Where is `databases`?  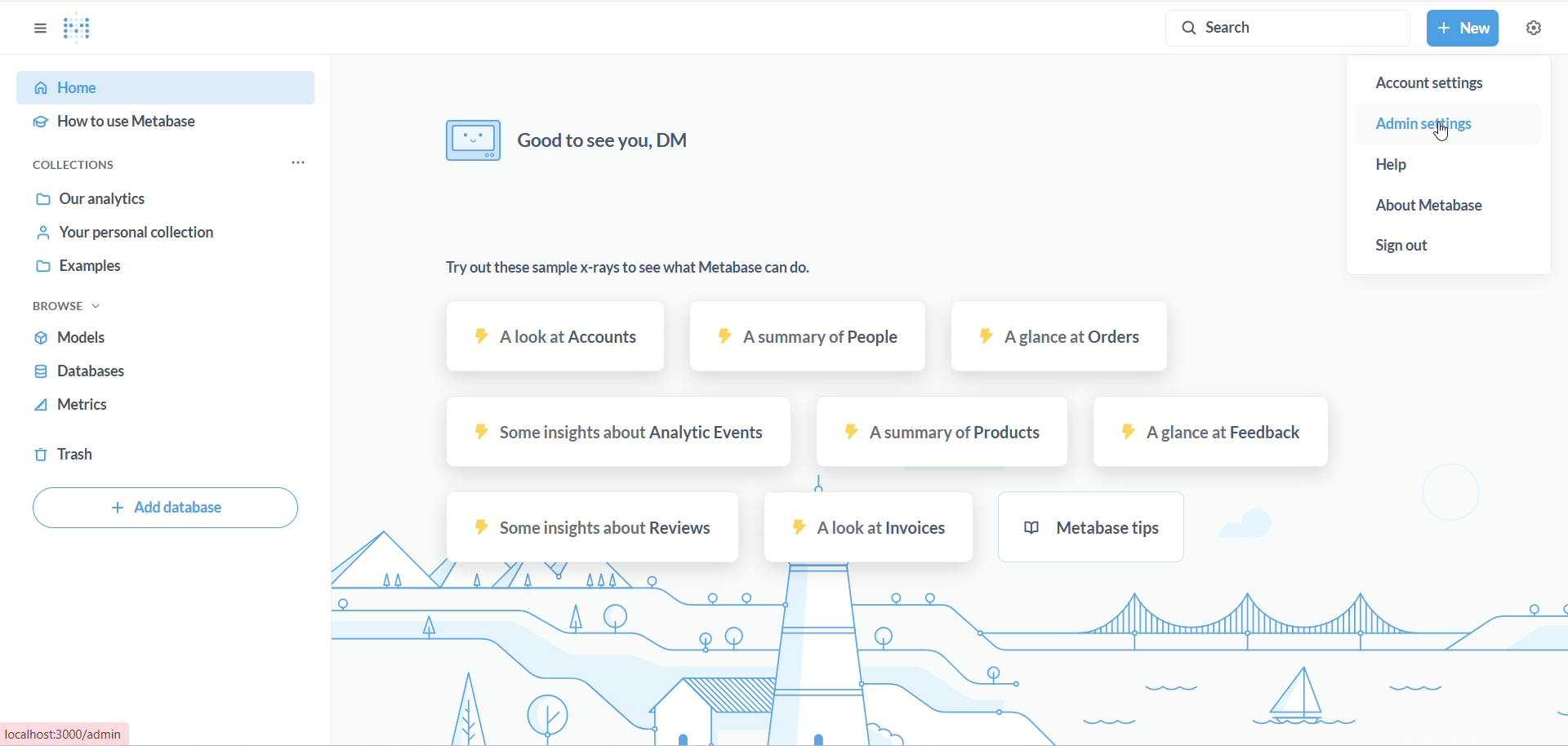
databases is located at coordinates (79, 374).